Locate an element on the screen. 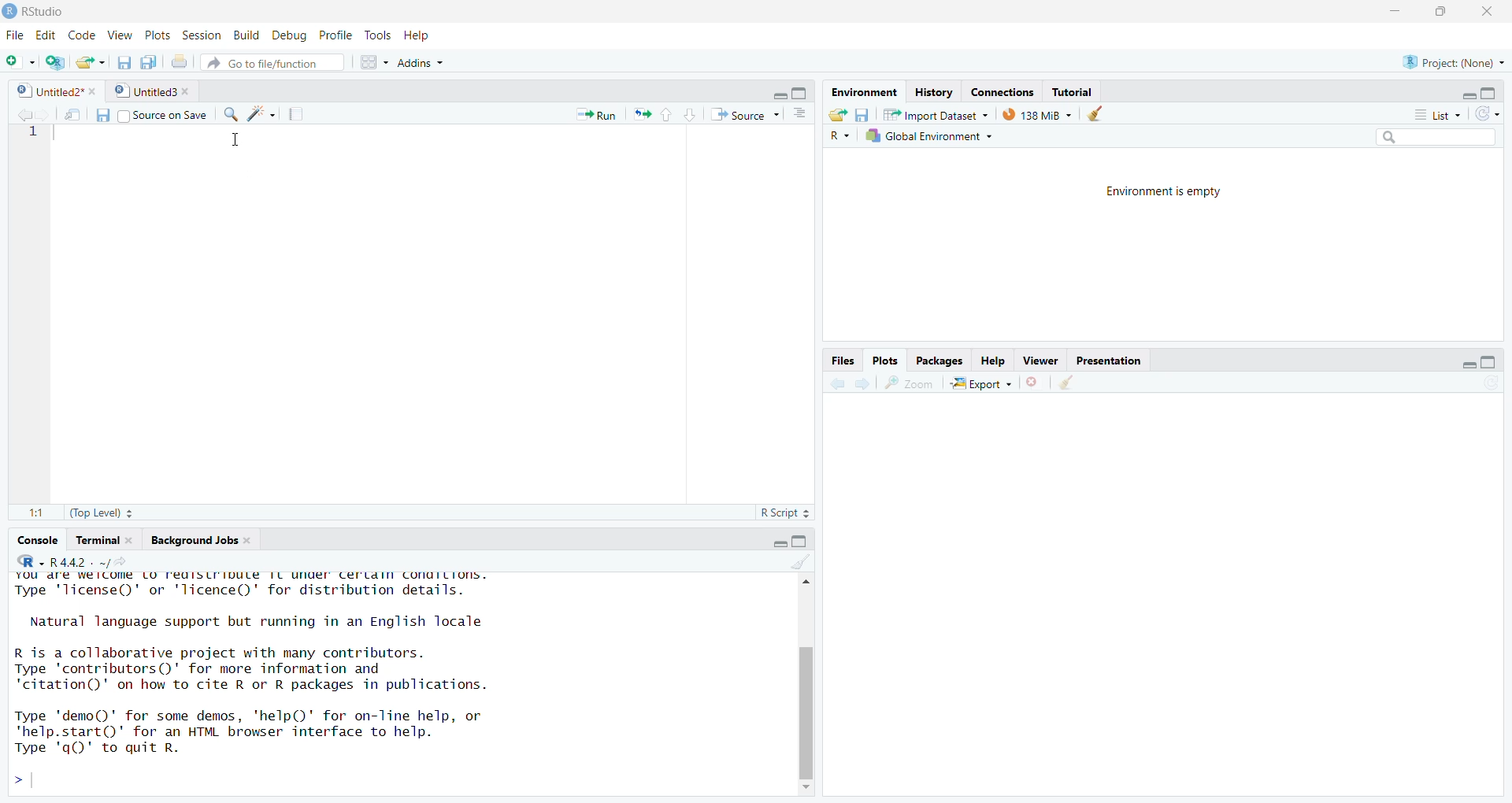  Viewer is located at coordinates (1039, 359).